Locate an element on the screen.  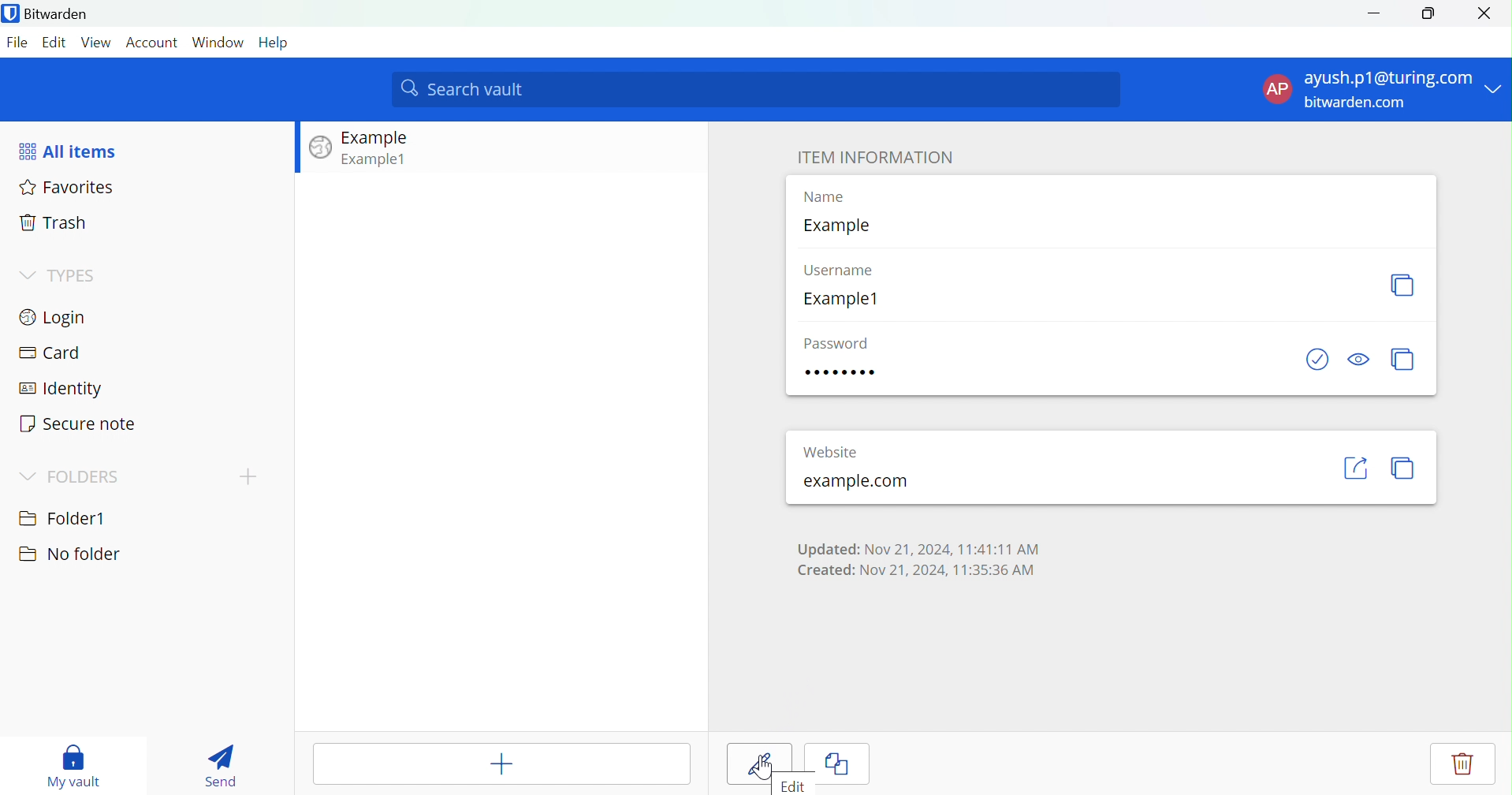
Drop Down is located at coordinates (25, 274).